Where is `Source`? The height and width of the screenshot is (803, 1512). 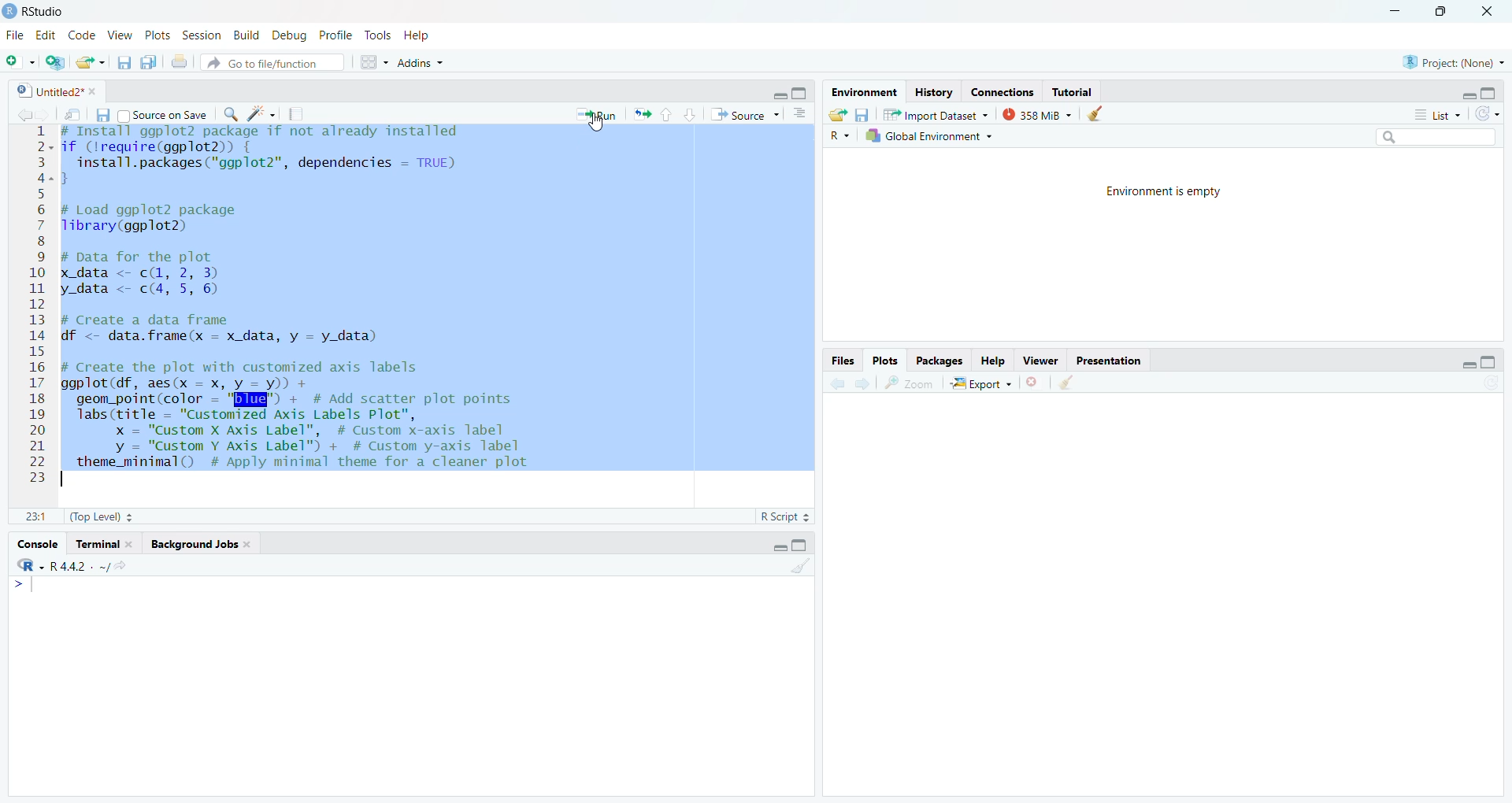 Source is located at coordinates (740, 115).